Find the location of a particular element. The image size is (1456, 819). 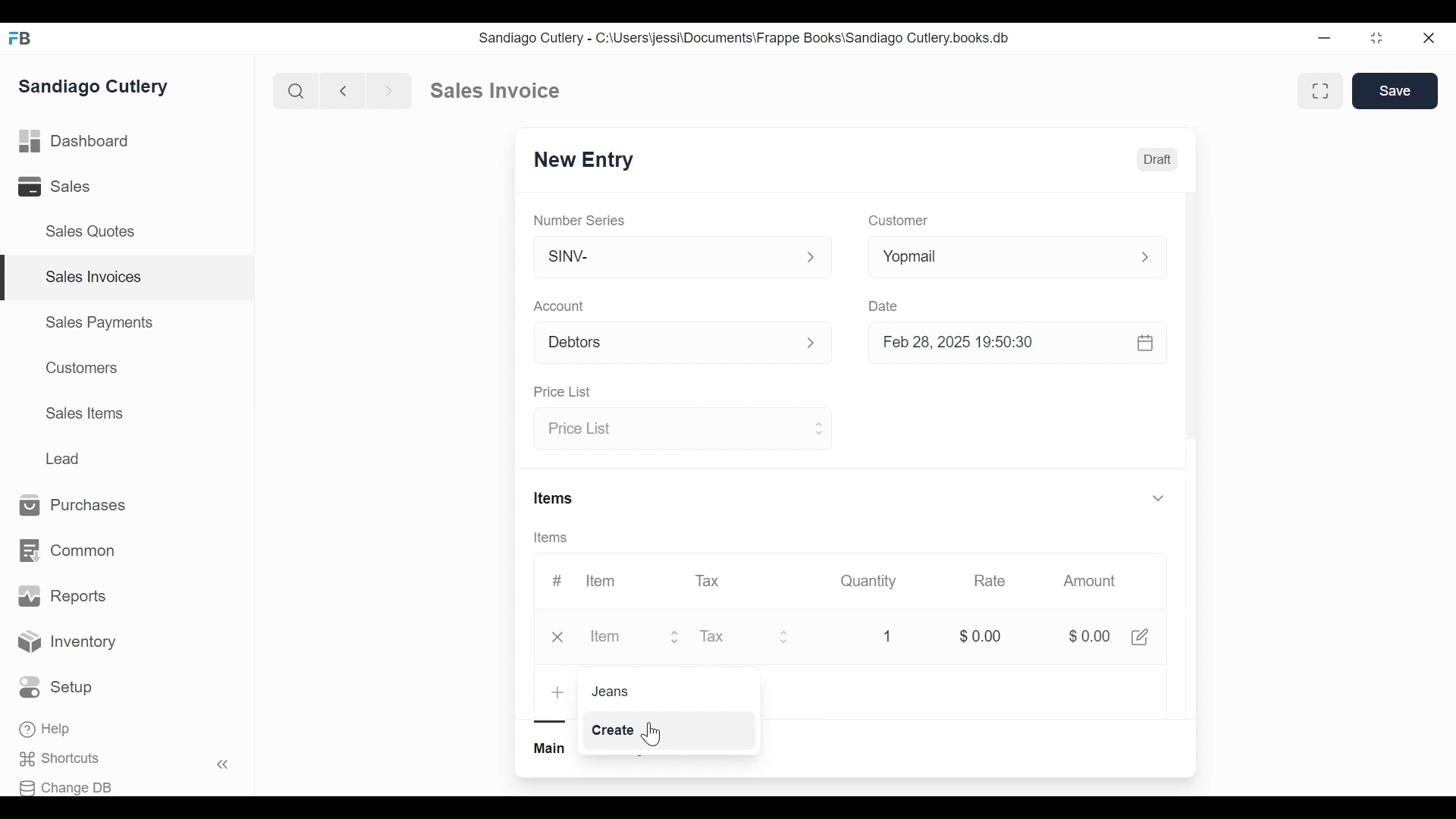

Item is located at coordinates (602, 581).